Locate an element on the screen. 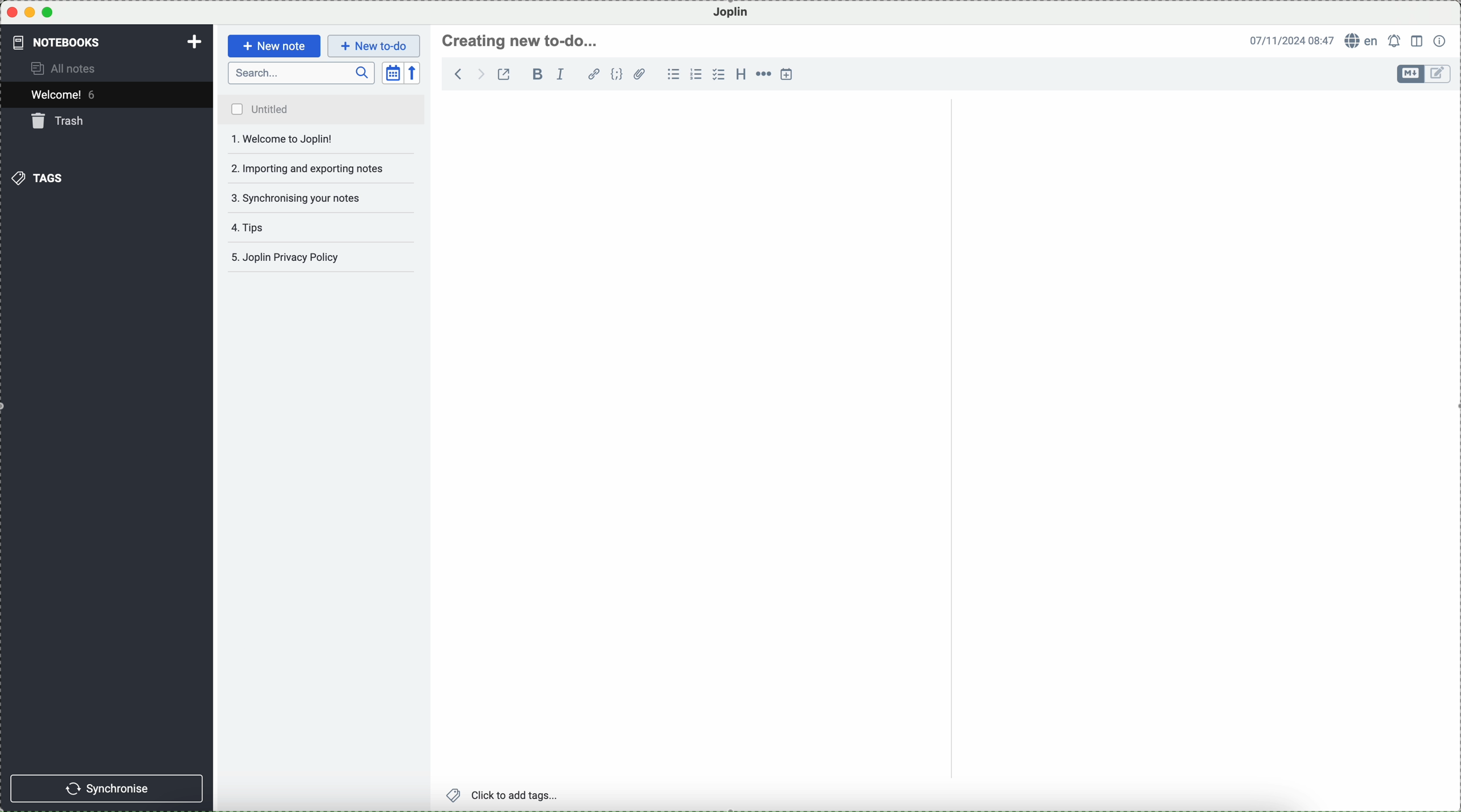  forward is located at coordinates (479, 74).